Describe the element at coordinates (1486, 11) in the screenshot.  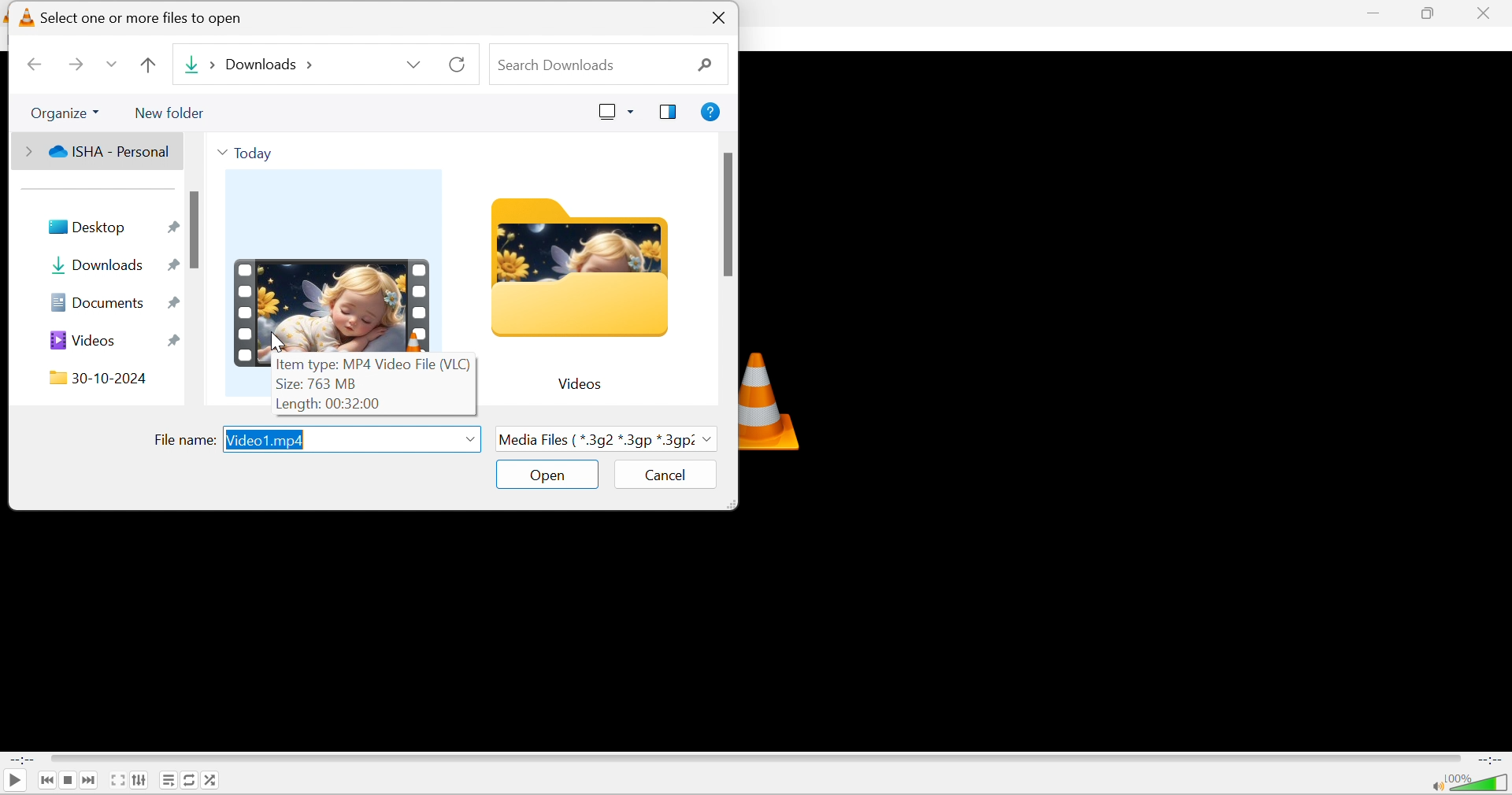
I see `close` at that location.